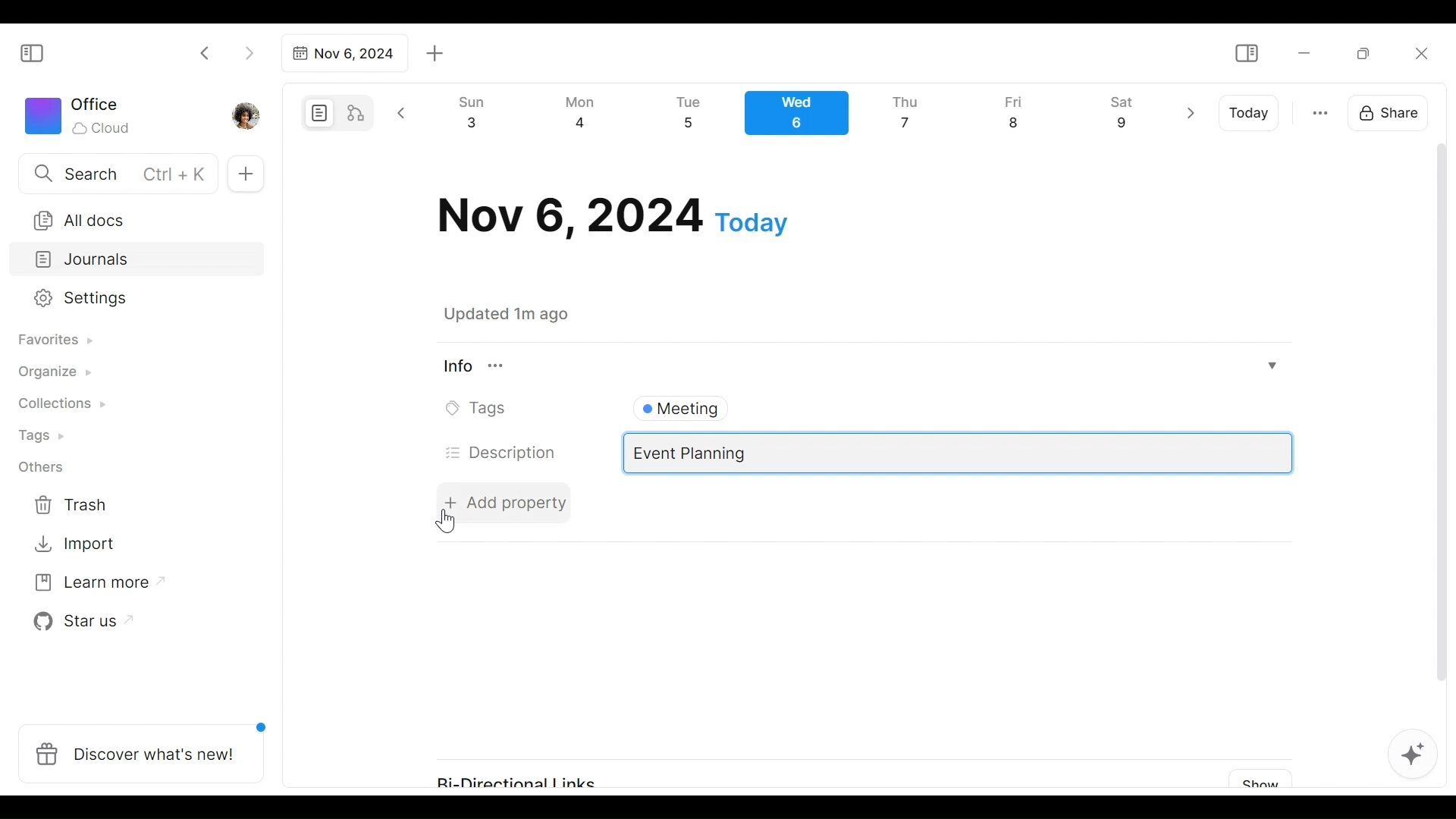 Image resolution: width=1456 pixels, height=819 pixels. I want to click on Journals, so click(138, 261).